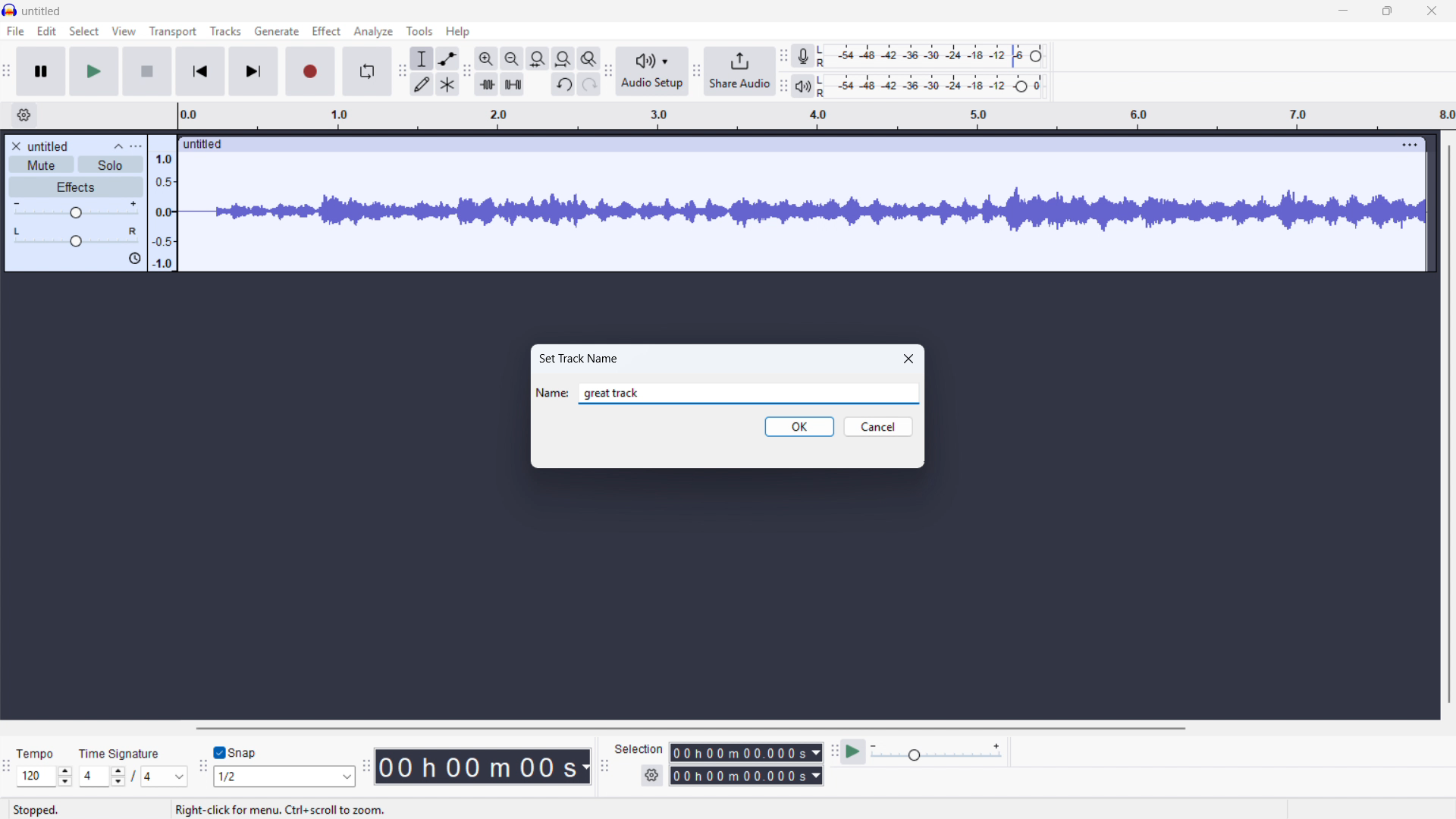  I want to click on Selection settings , so click(652, 775).